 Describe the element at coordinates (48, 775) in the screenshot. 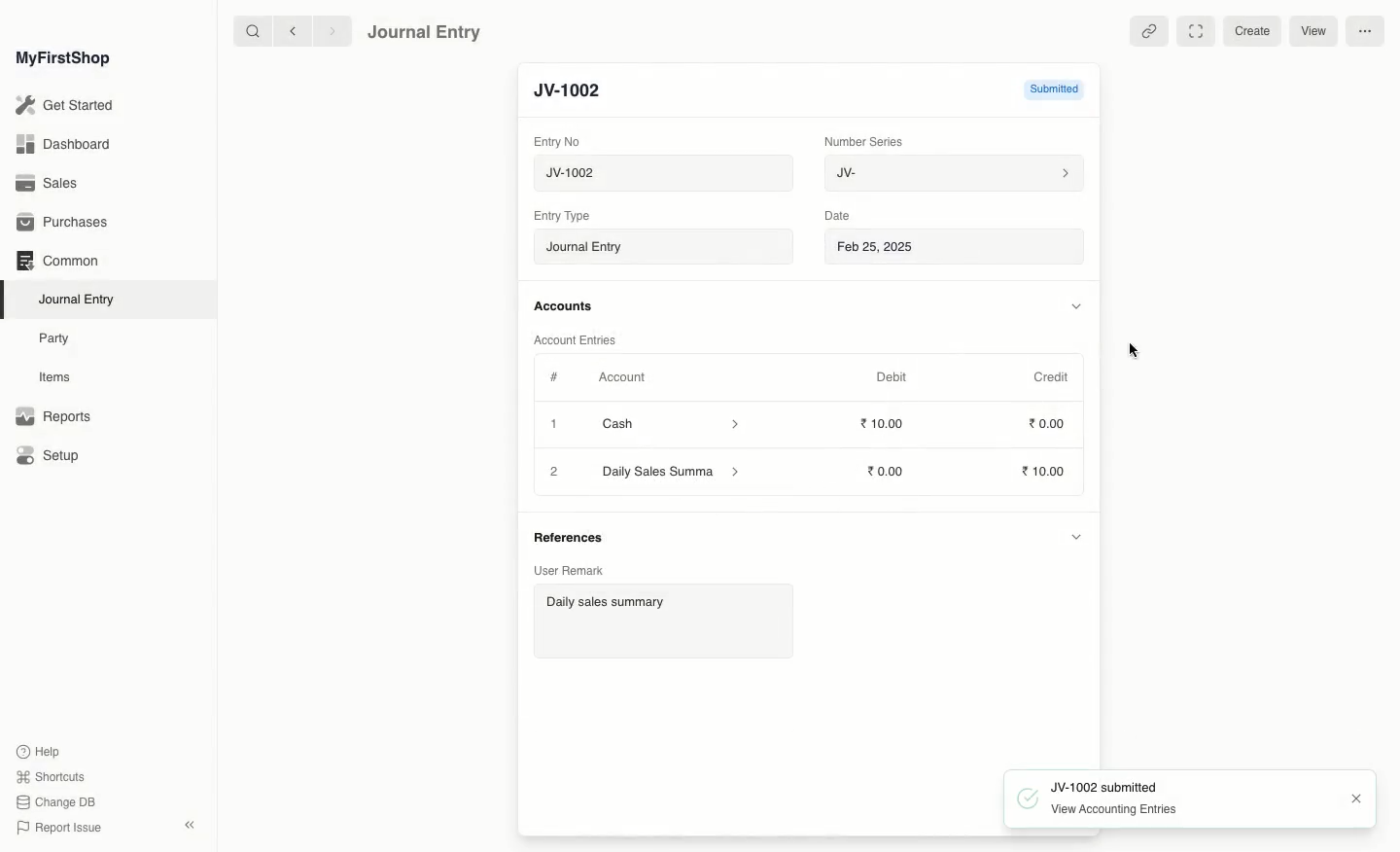

I see `Shortcuts` at that location.